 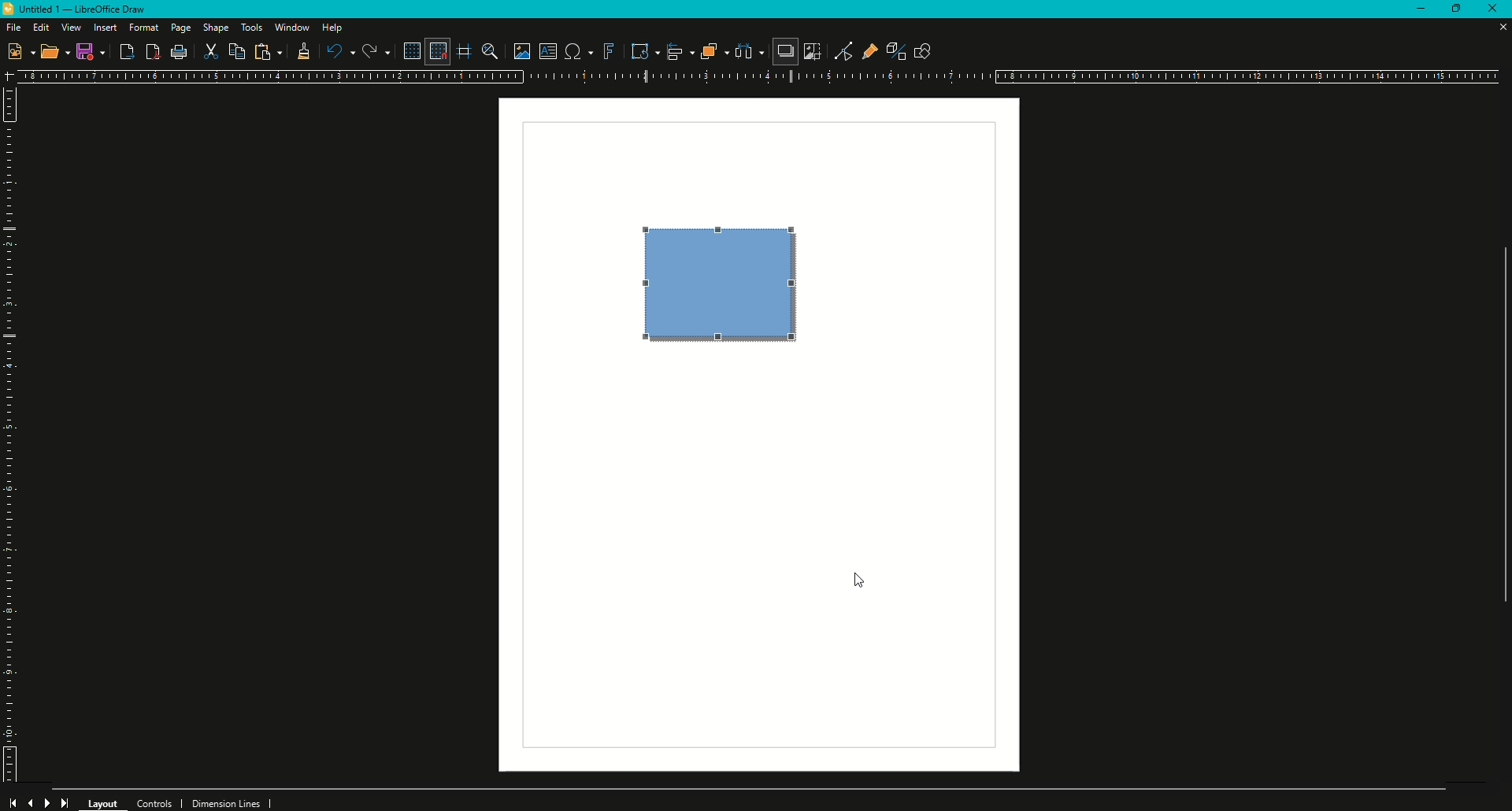 What do you see at coordinates (890, 49) in the screenshot?
I see `Toggle Extrusion` at bounding box center [890, 49].